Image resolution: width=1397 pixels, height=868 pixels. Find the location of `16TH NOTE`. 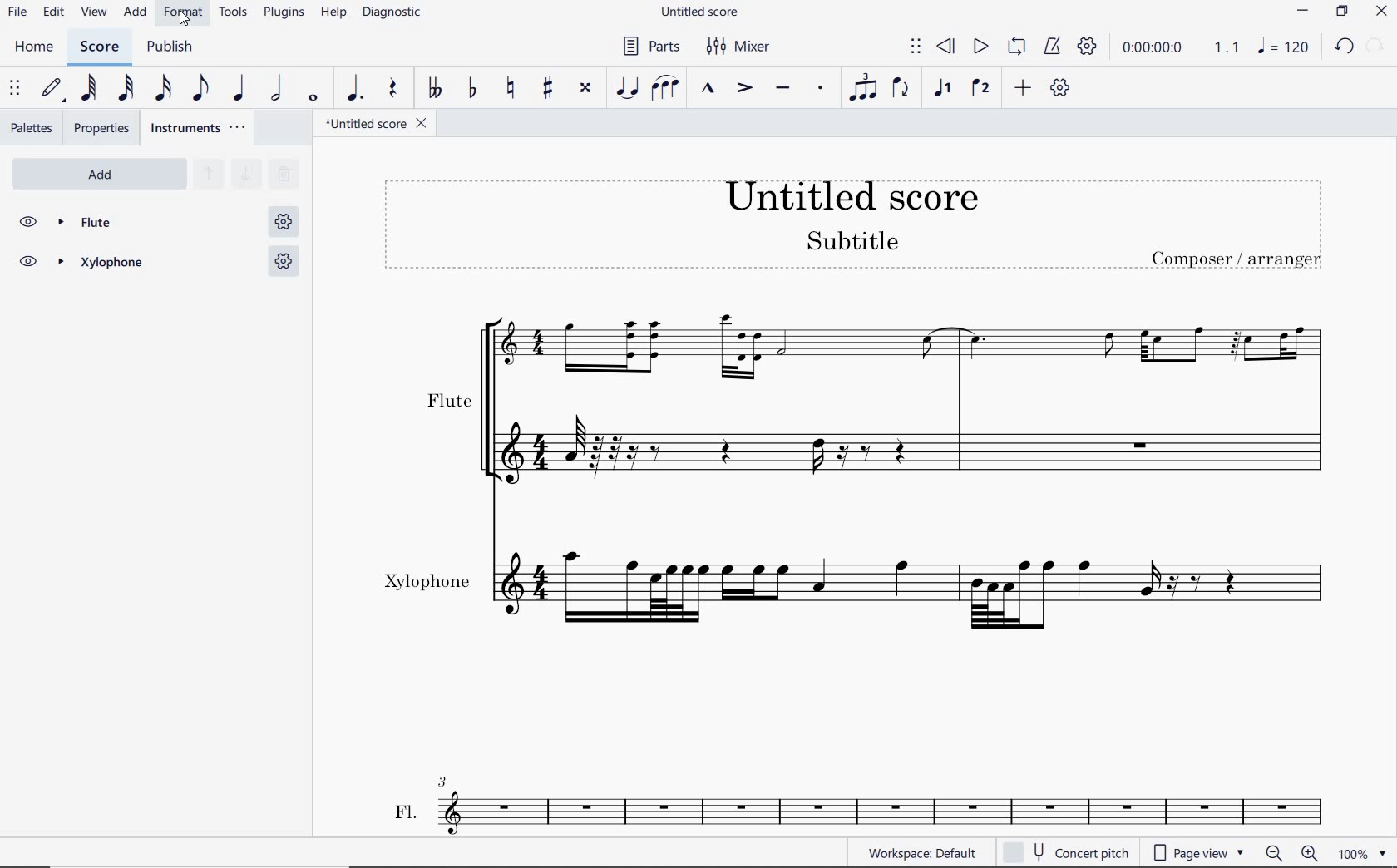

16TH NOTE is located at coordinates (163, 87).